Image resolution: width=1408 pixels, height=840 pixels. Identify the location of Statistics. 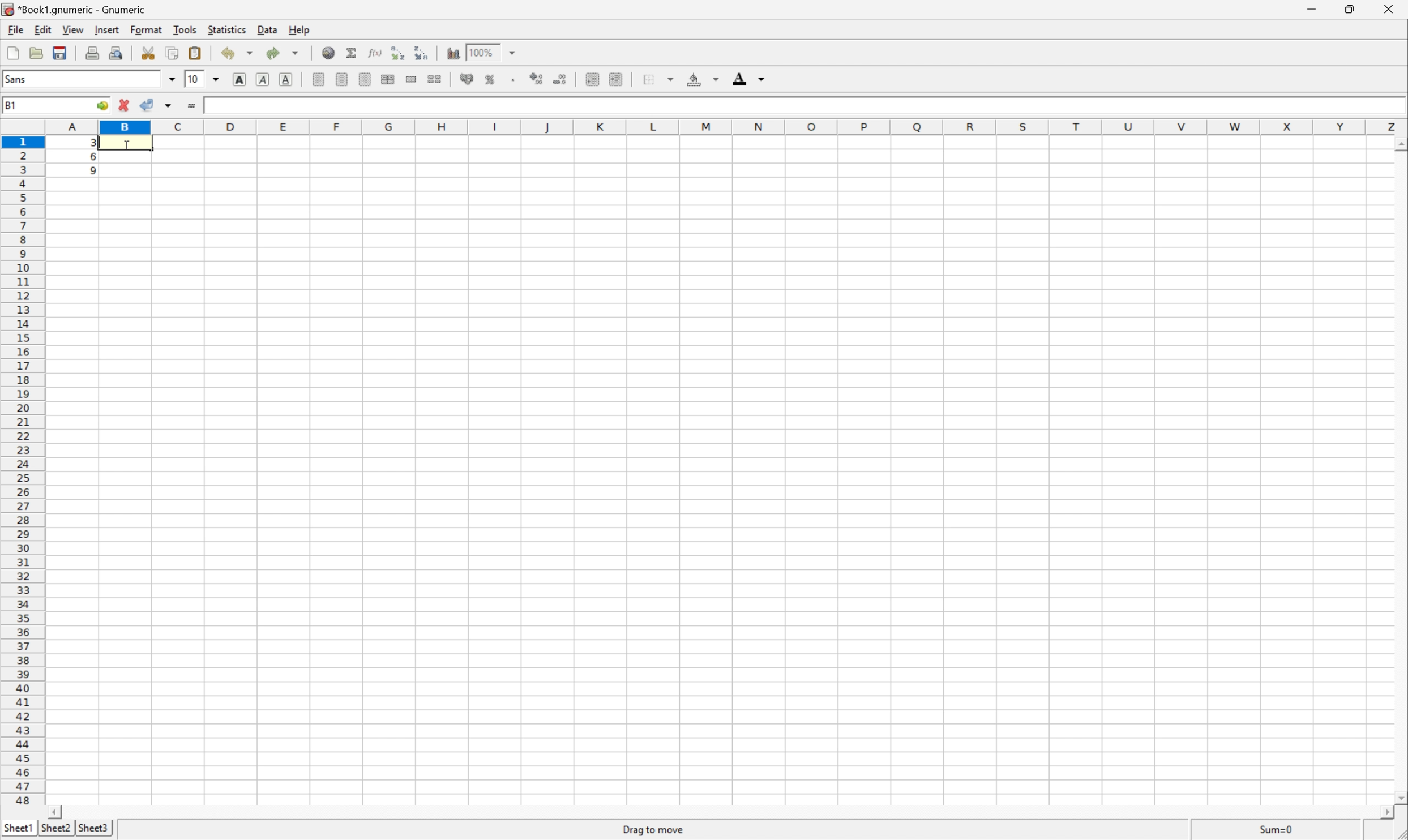
(227, 29).